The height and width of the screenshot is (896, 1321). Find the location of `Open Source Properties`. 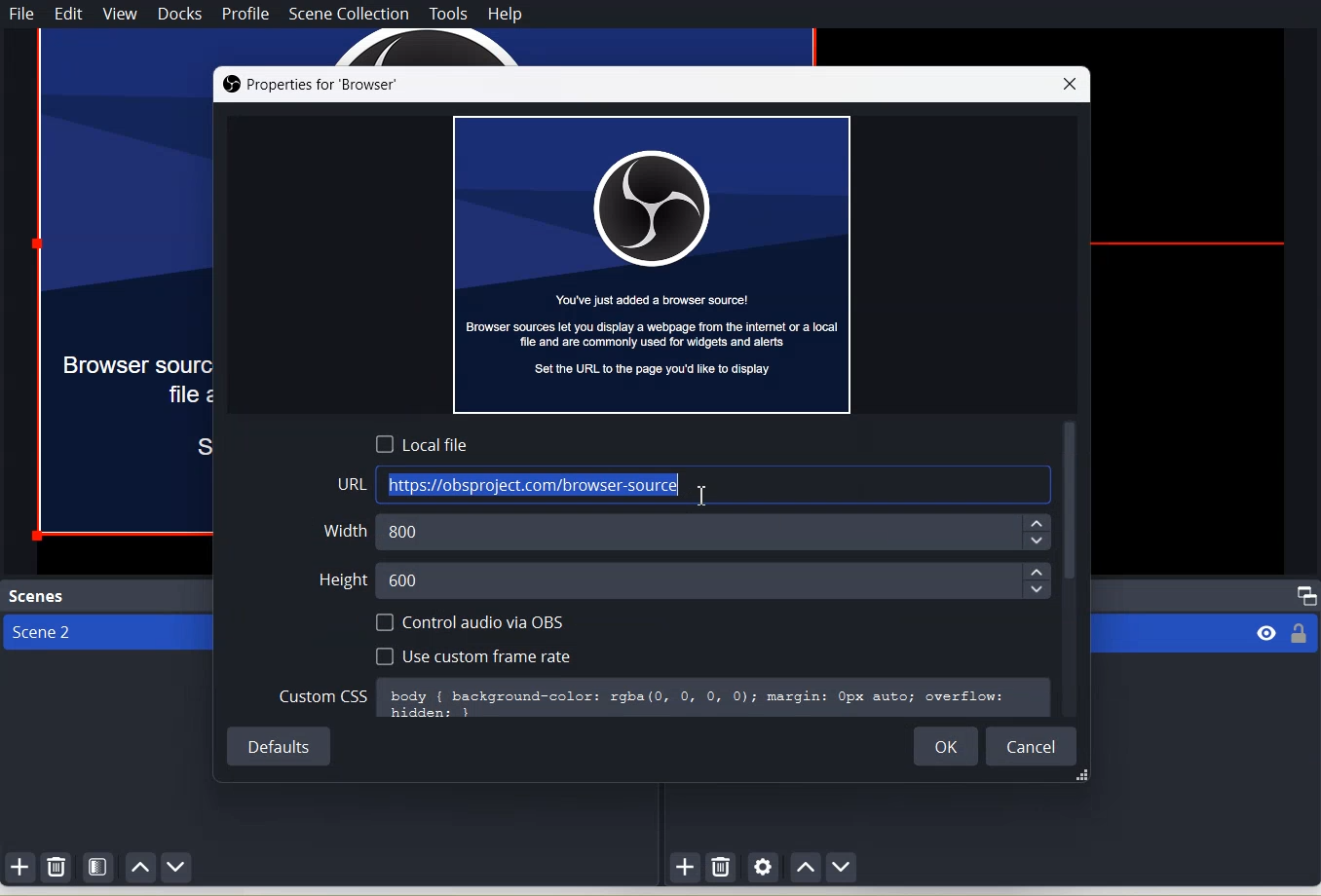

Open Source Properties is located at coordinates (763, 868).